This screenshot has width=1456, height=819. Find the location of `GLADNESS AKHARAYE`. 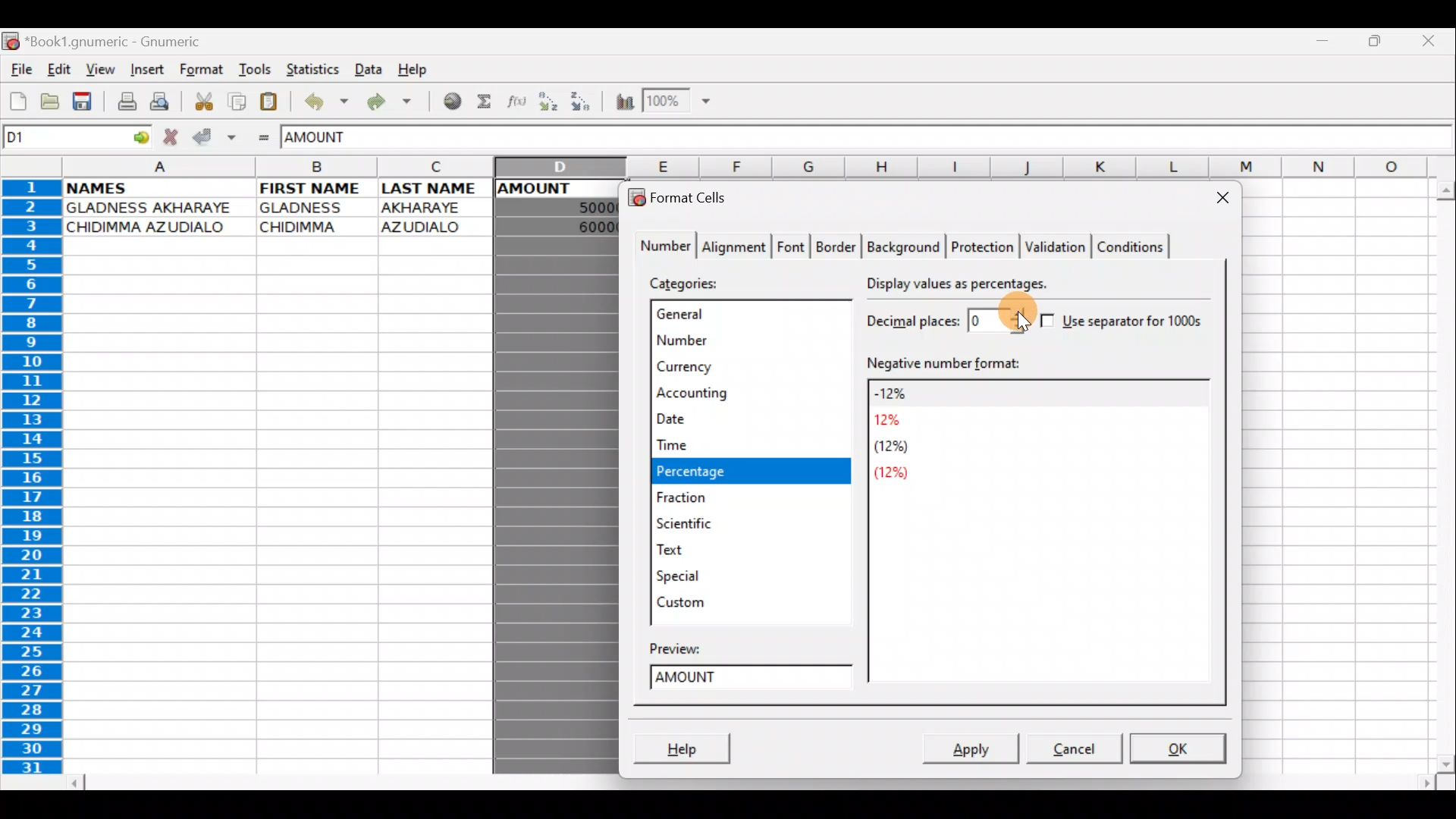

GLADNESS AKHARAYE is located at coordinates (155, 207).